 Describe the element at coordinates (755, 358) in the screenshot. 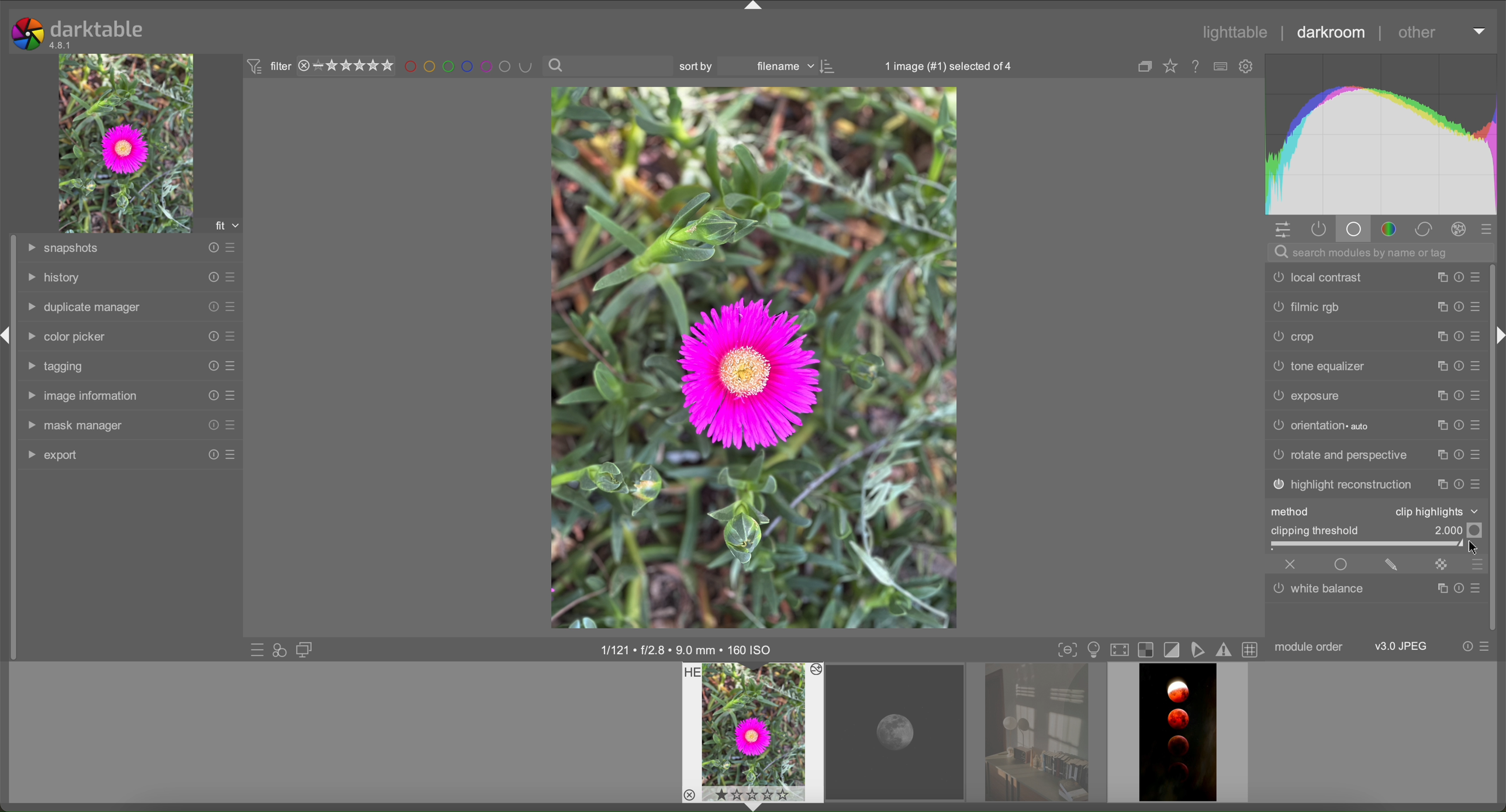

I see `image` at that location.